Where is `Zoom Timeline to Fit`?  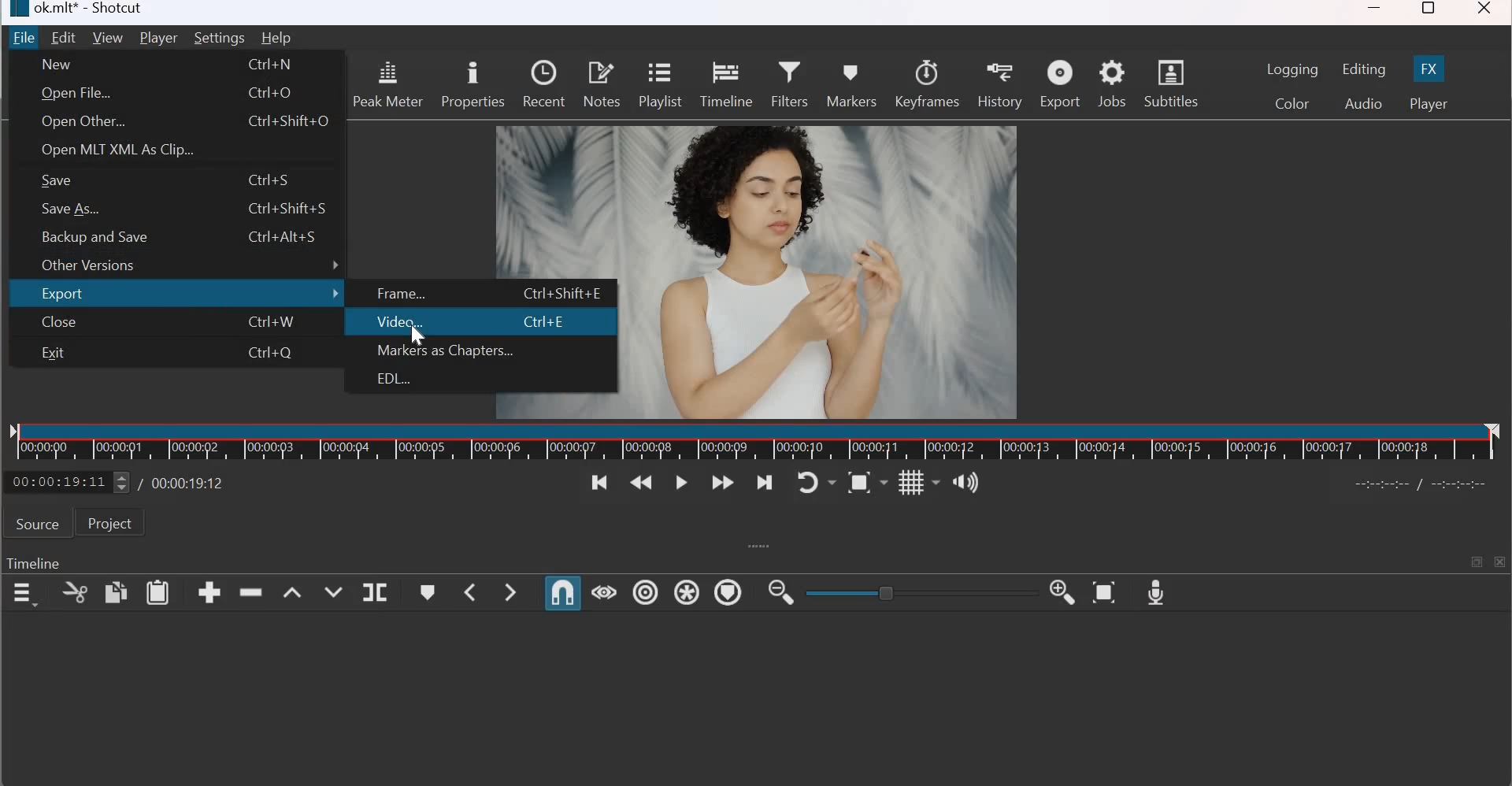
Zoom Timeline to Fit is located at coordinates (1106, 592).